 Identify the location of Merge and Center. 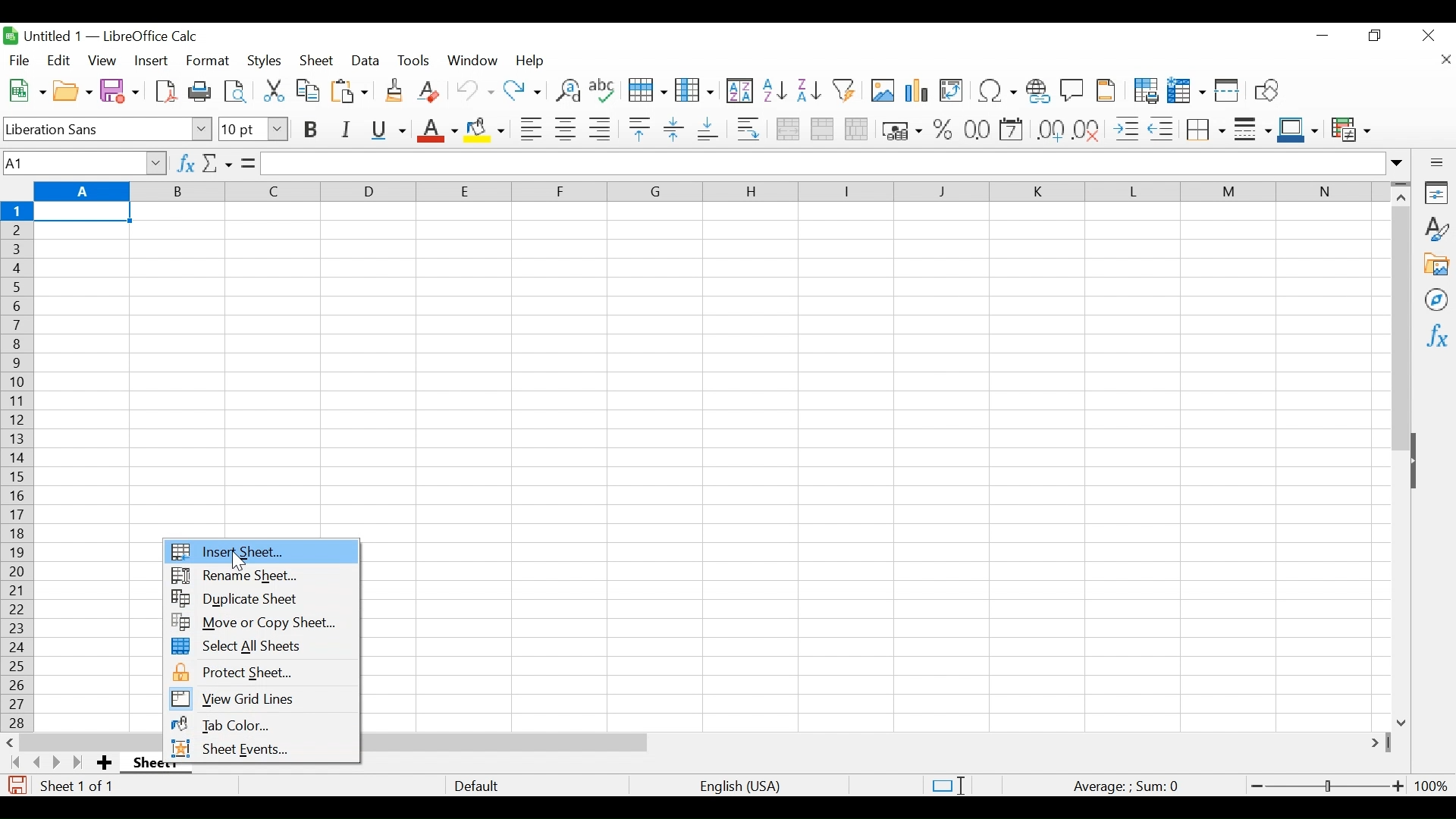
(786, 129).